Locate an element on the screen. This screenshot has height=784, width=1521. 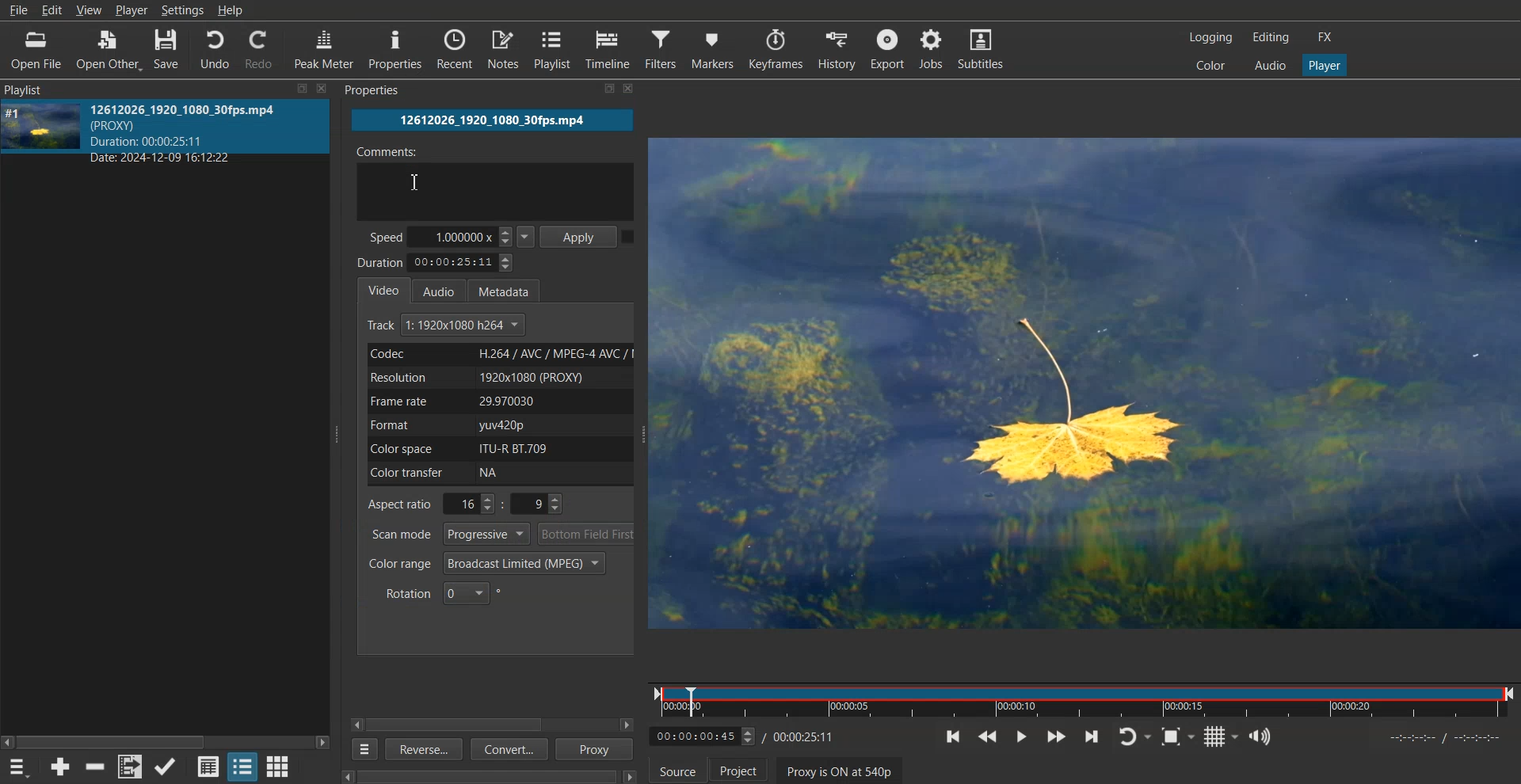
Keyframes is located at coordinates (776, 48).